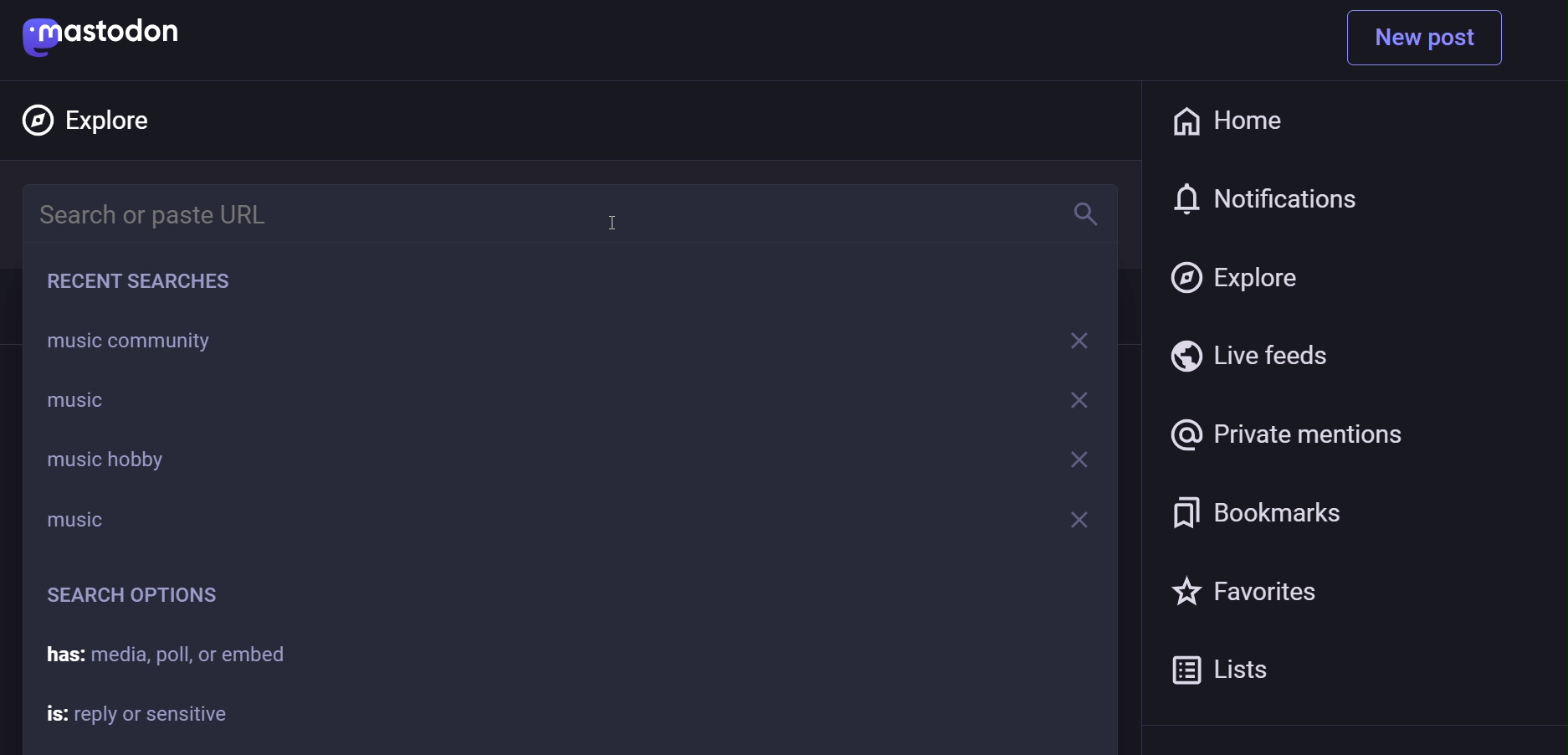  Describe the element at coordinates (1426, 38) in the screenshot. I see `new post` at that location.